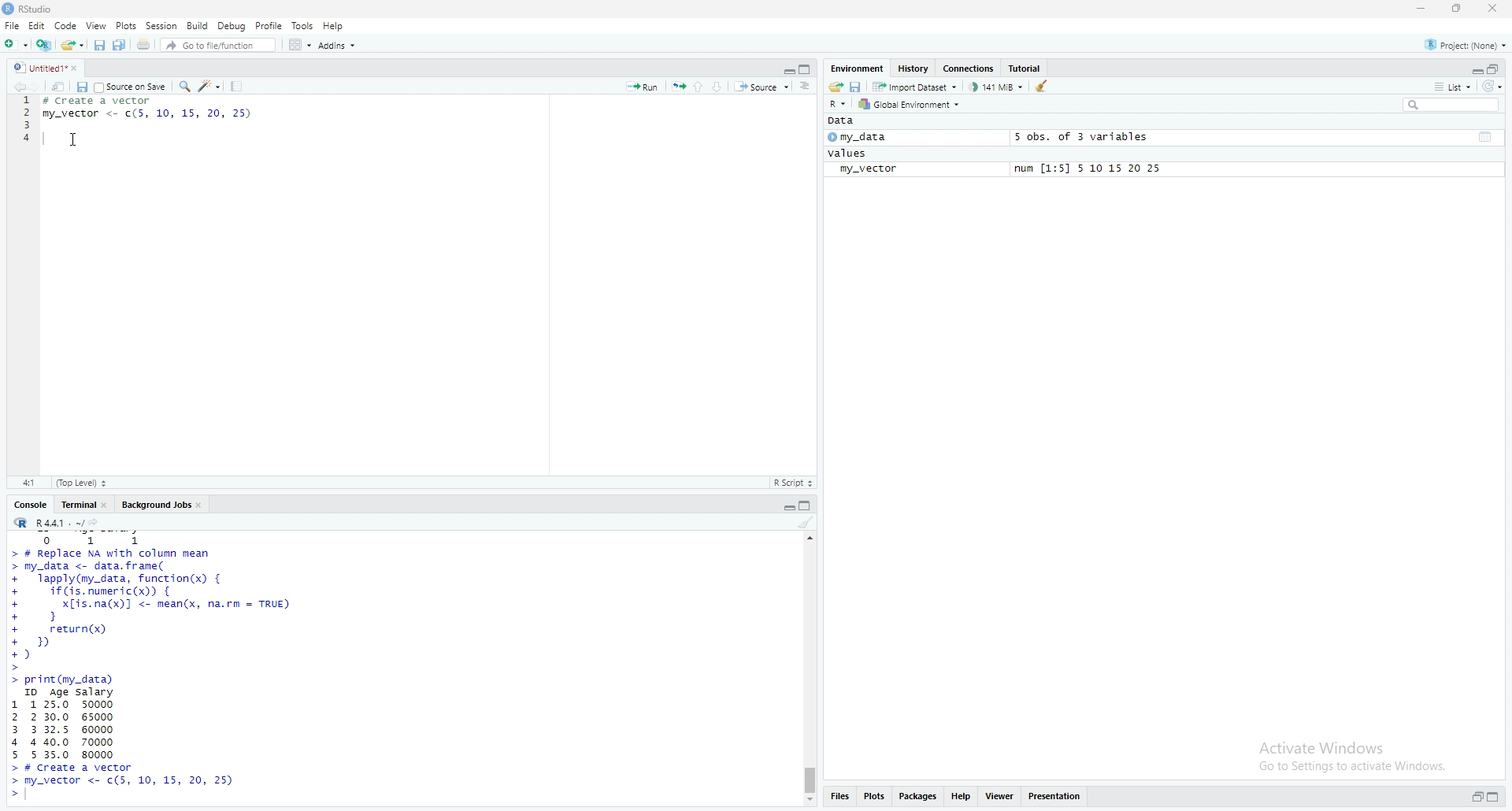 The width and height of the screenshot is (1512, 811). What do you see at coordinates (806, 523) in the screenshot?
I see `clear console` at bounding box center [806, 523].